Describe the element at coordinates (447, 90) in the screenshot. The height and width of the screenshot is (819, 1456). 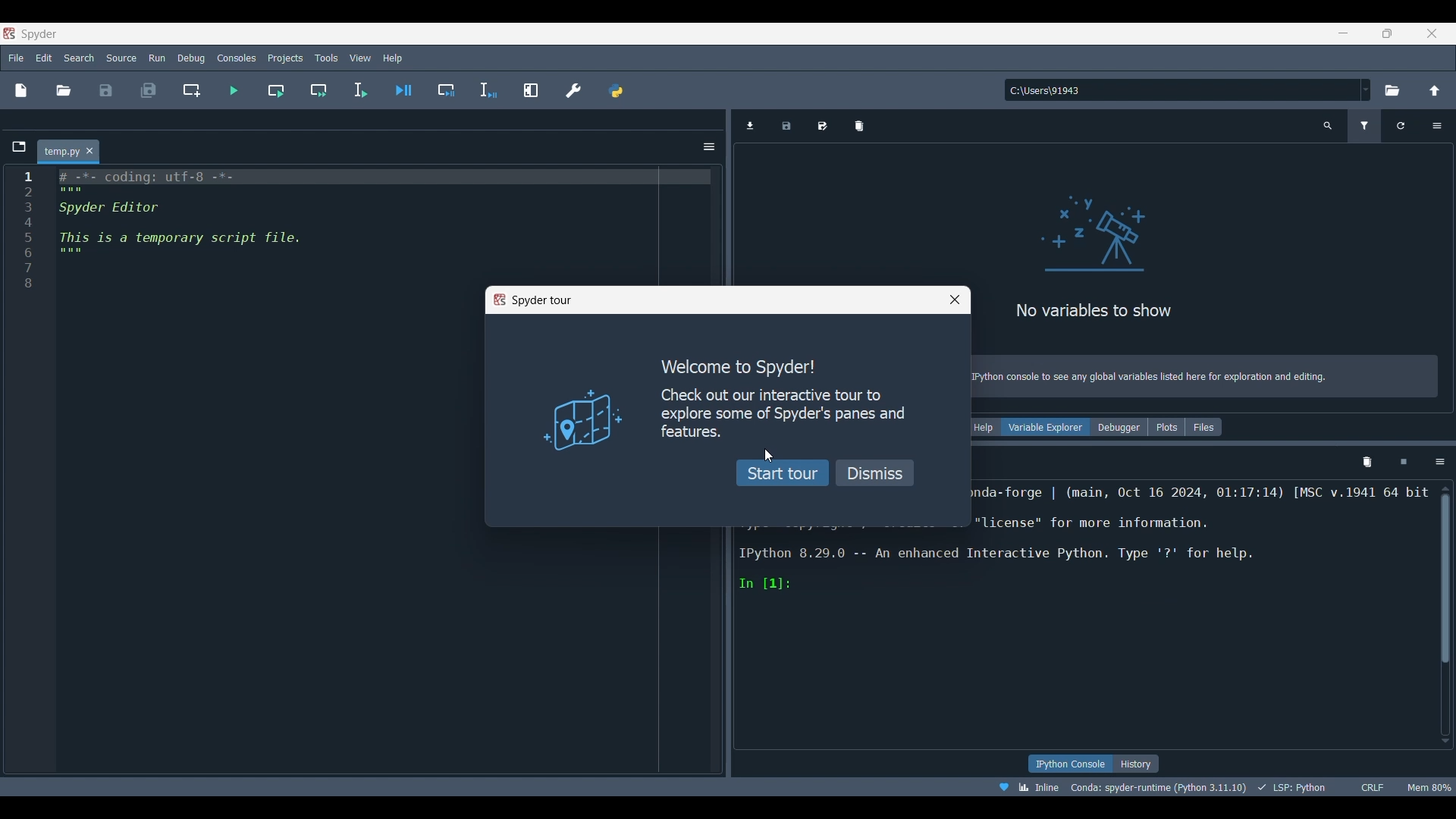
I see `Debug cell` at that location.